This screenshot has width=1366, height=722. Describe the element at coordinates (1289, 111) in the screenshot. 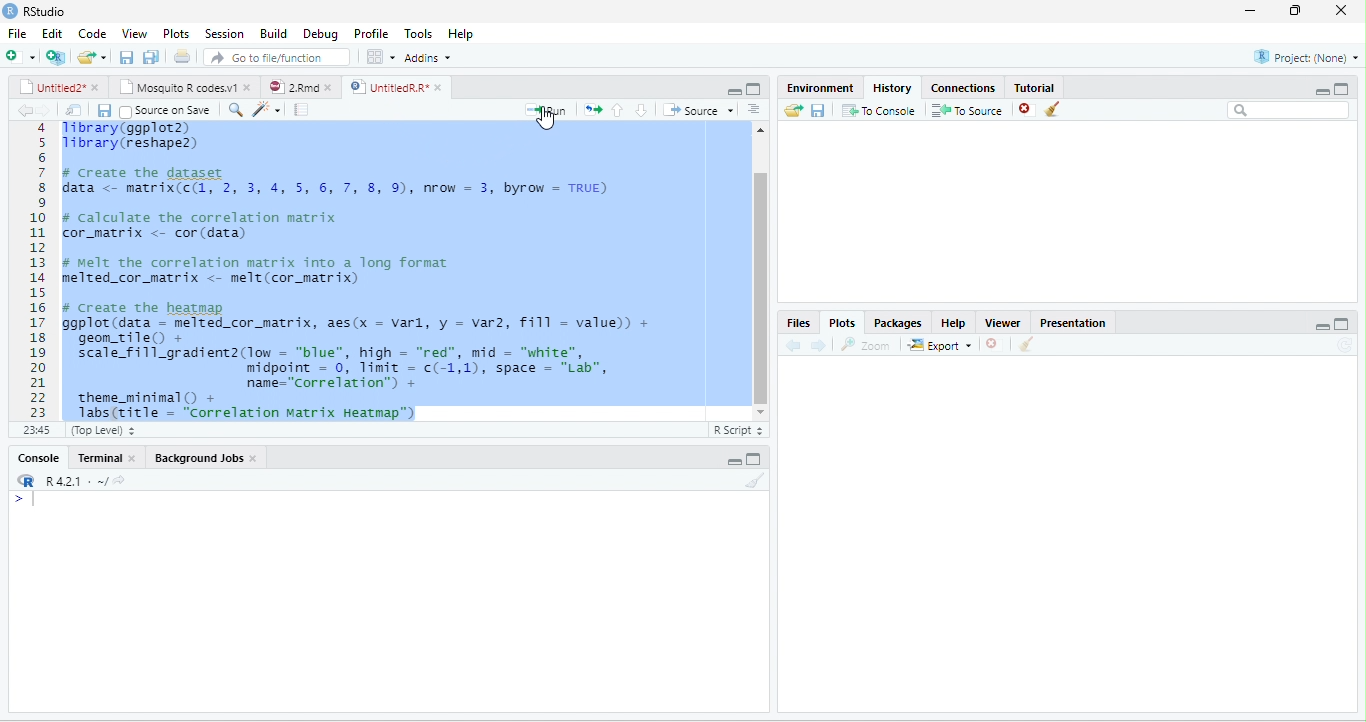

I see `search bar` at that location.